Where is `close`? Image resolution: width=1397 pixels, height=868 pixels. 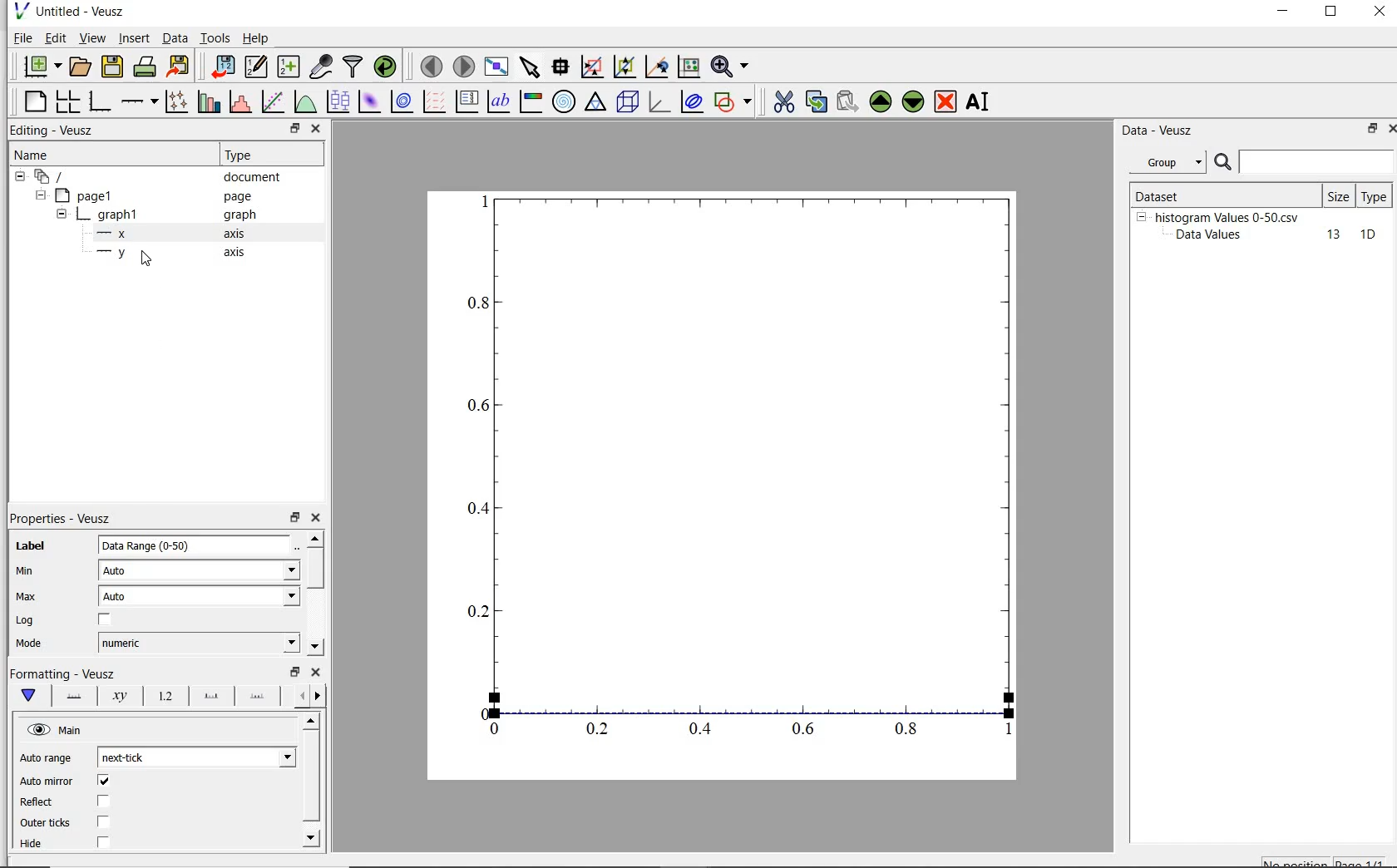 close is located at coordinates (319, 518).